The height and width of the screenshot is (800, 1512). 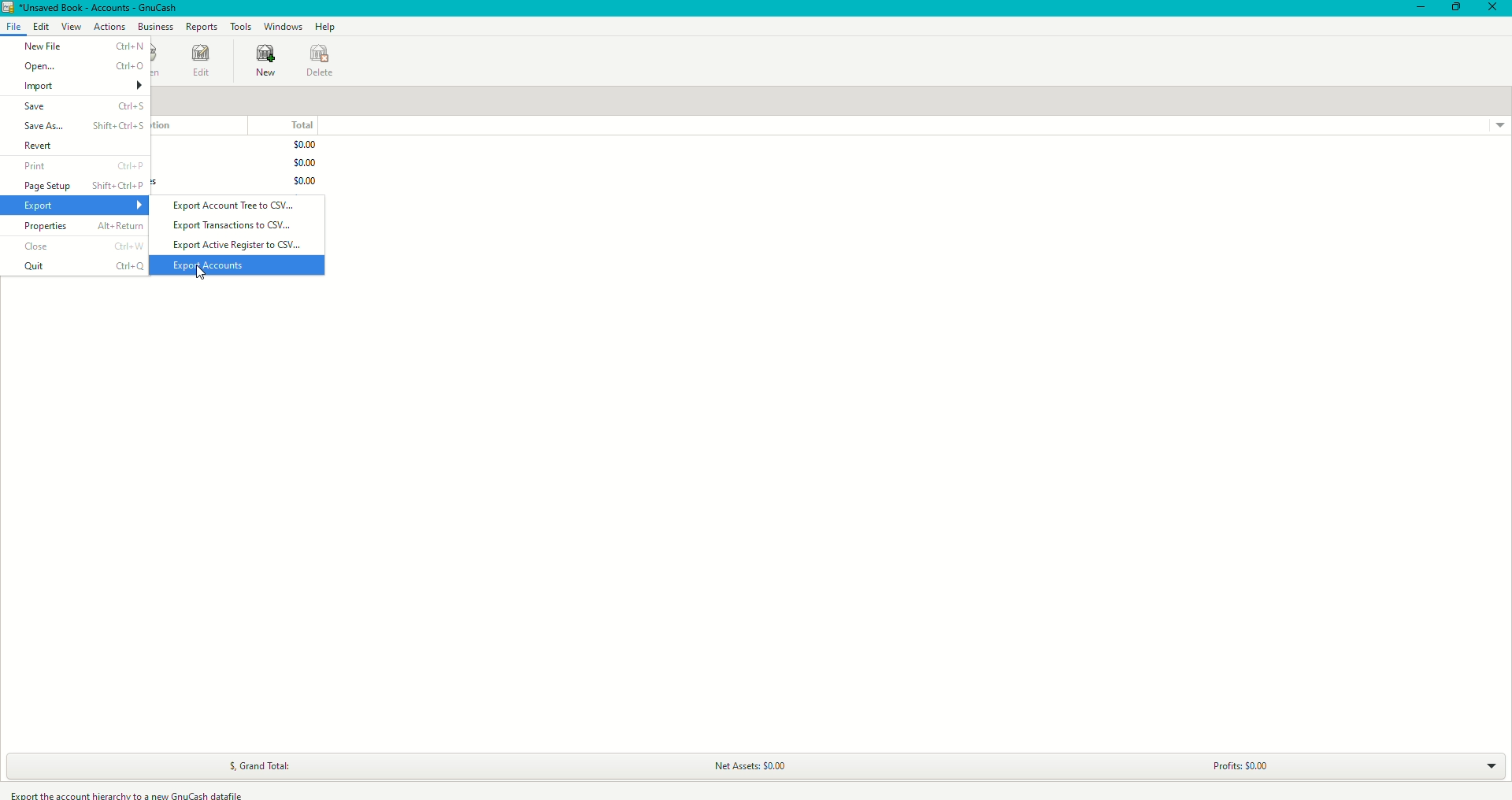 What do you see at coordinates (751, 765) in the screenshot?
I see `Net assets` at bounding box center [751, 765].